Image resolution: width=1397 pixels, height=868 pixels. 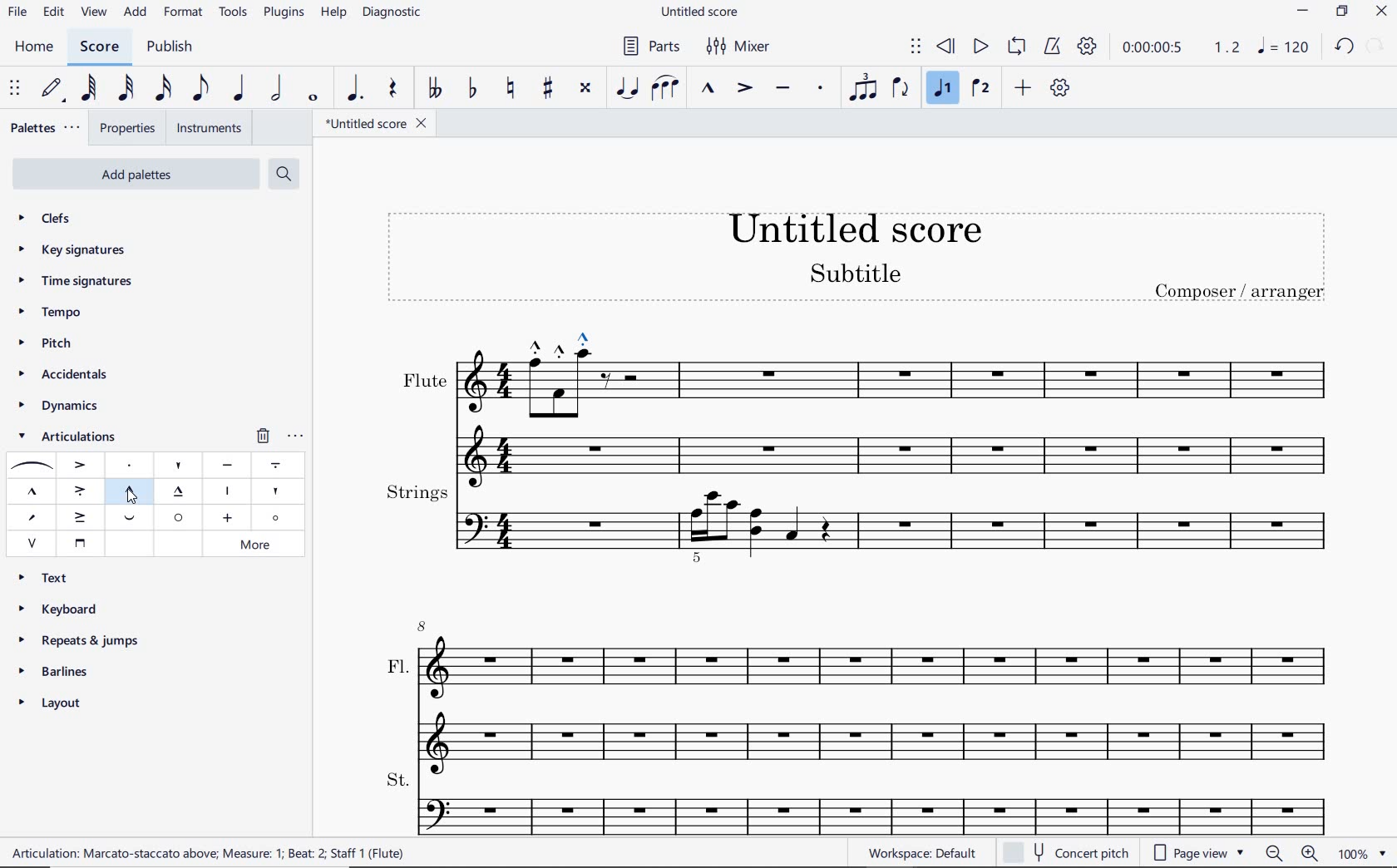 What do you see at coordinates (275, 466) in the screenshot?
I see `LOURE` at bounding box center [275, 466].